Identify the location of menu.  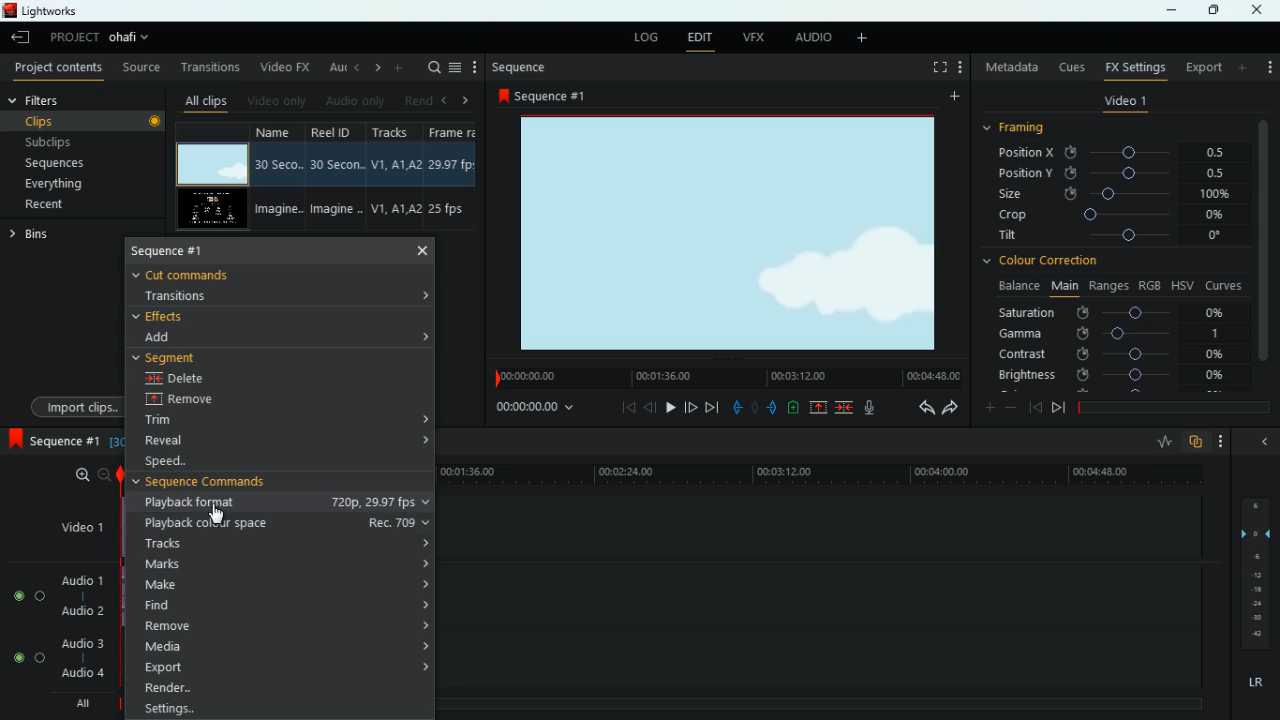
(455, 67).